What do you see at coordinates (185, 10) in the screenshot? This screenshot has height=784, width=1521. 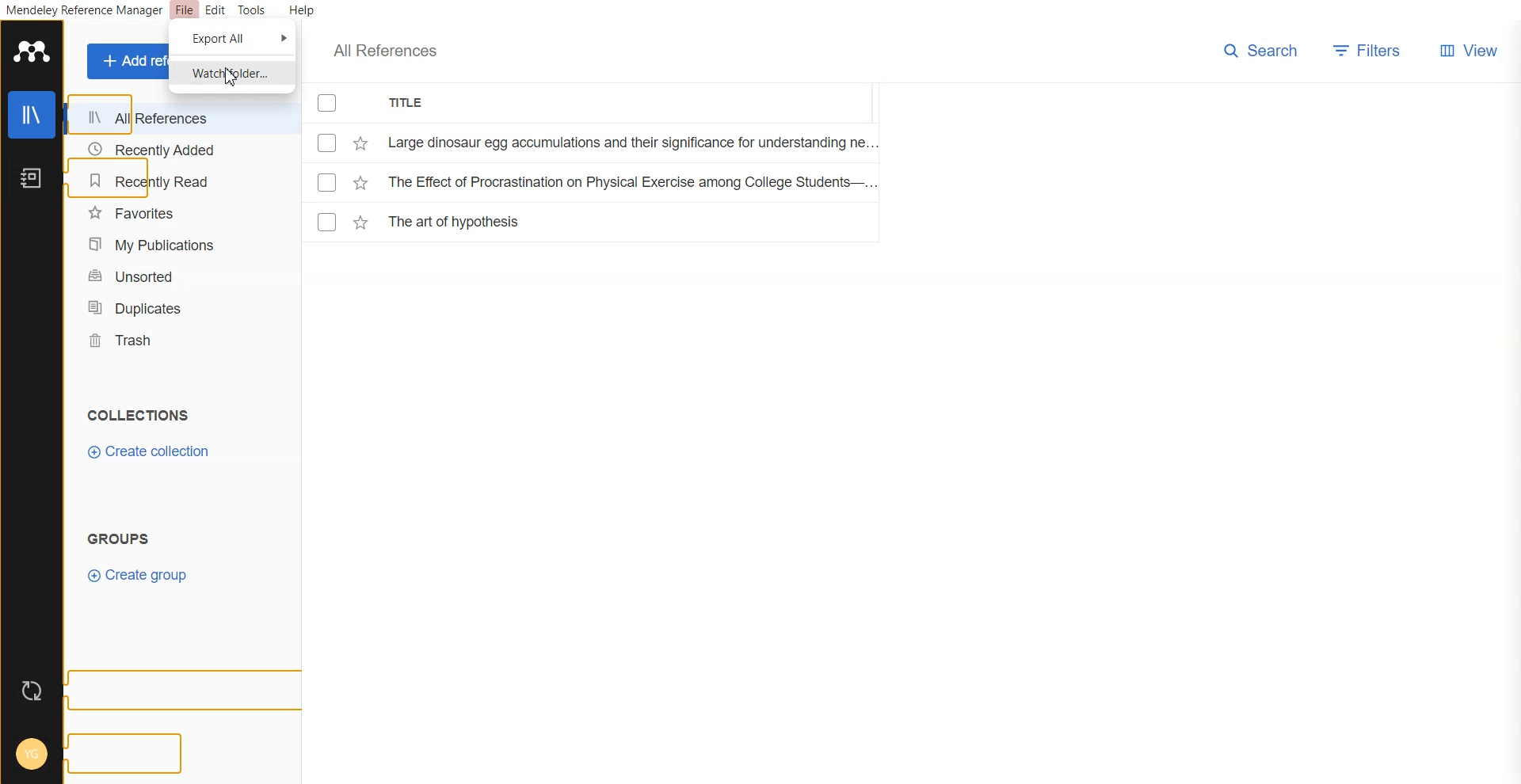 I see `File` at bounding box center [185, 10].